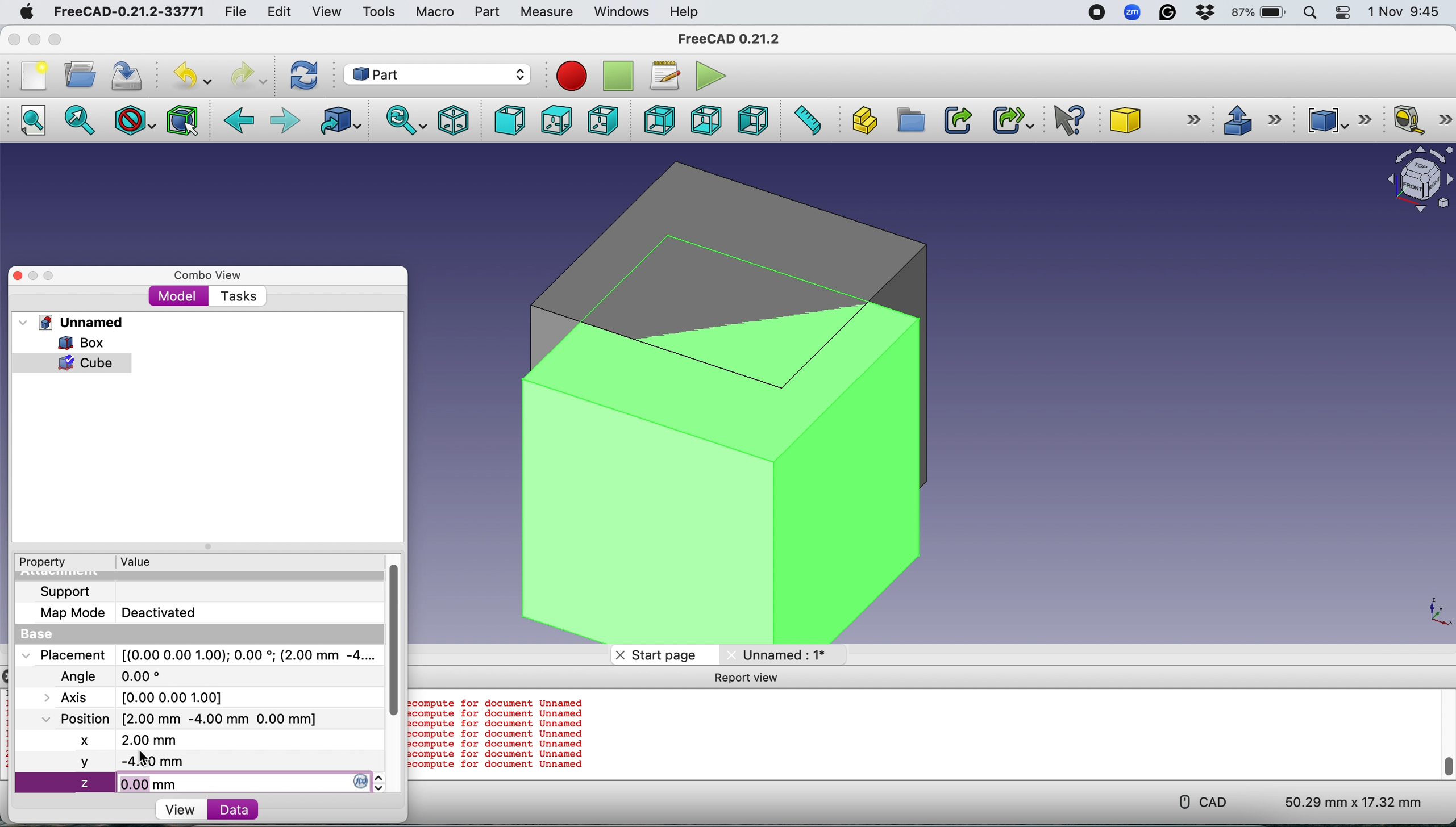 The height and width of the screenshot is (827, 1456). What do you see at coordinates (51, 276) in the screenshot?
I see `Maximise` at bounding box center [51, 276].